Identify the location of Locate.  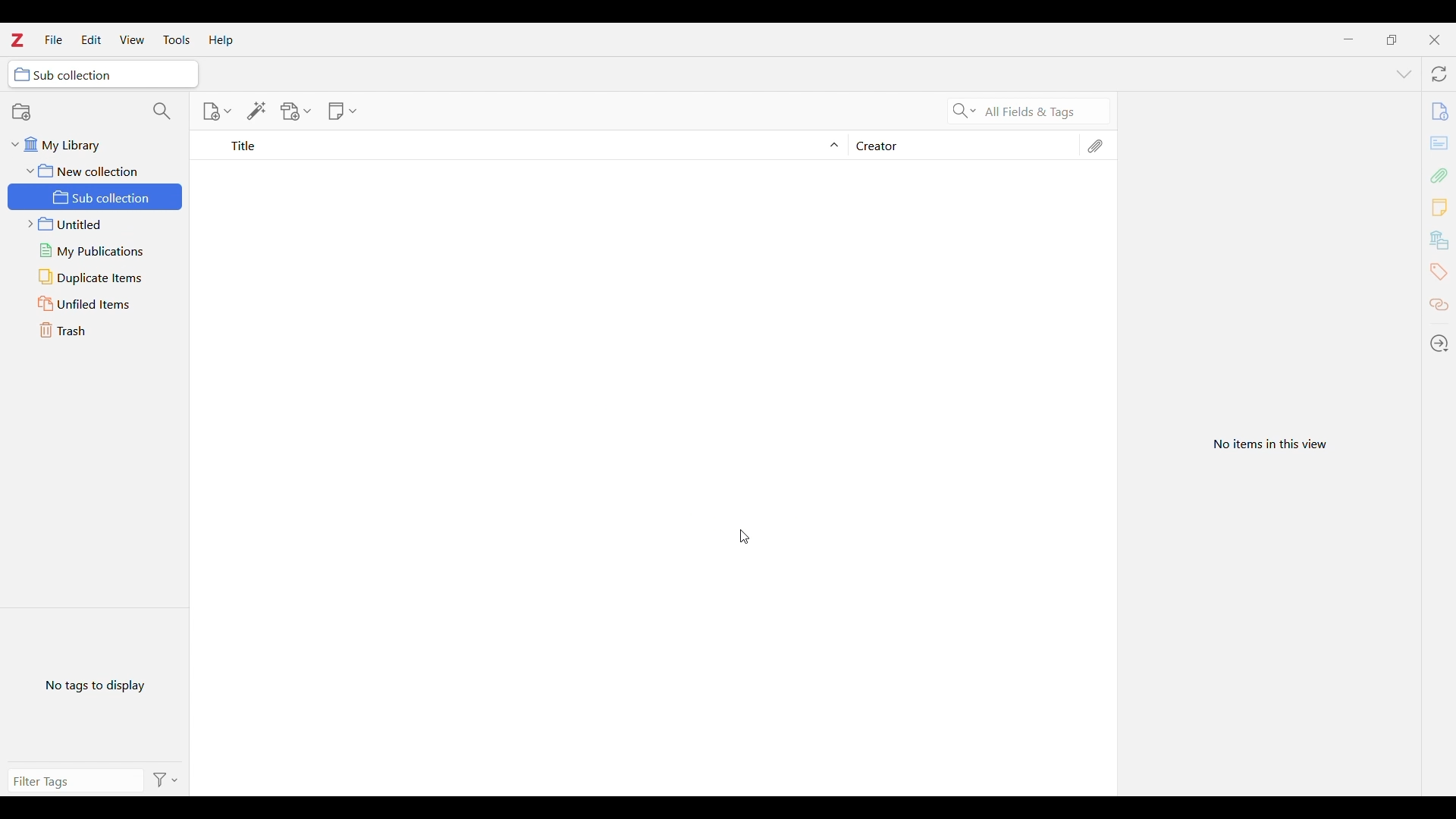
(1439, 344).